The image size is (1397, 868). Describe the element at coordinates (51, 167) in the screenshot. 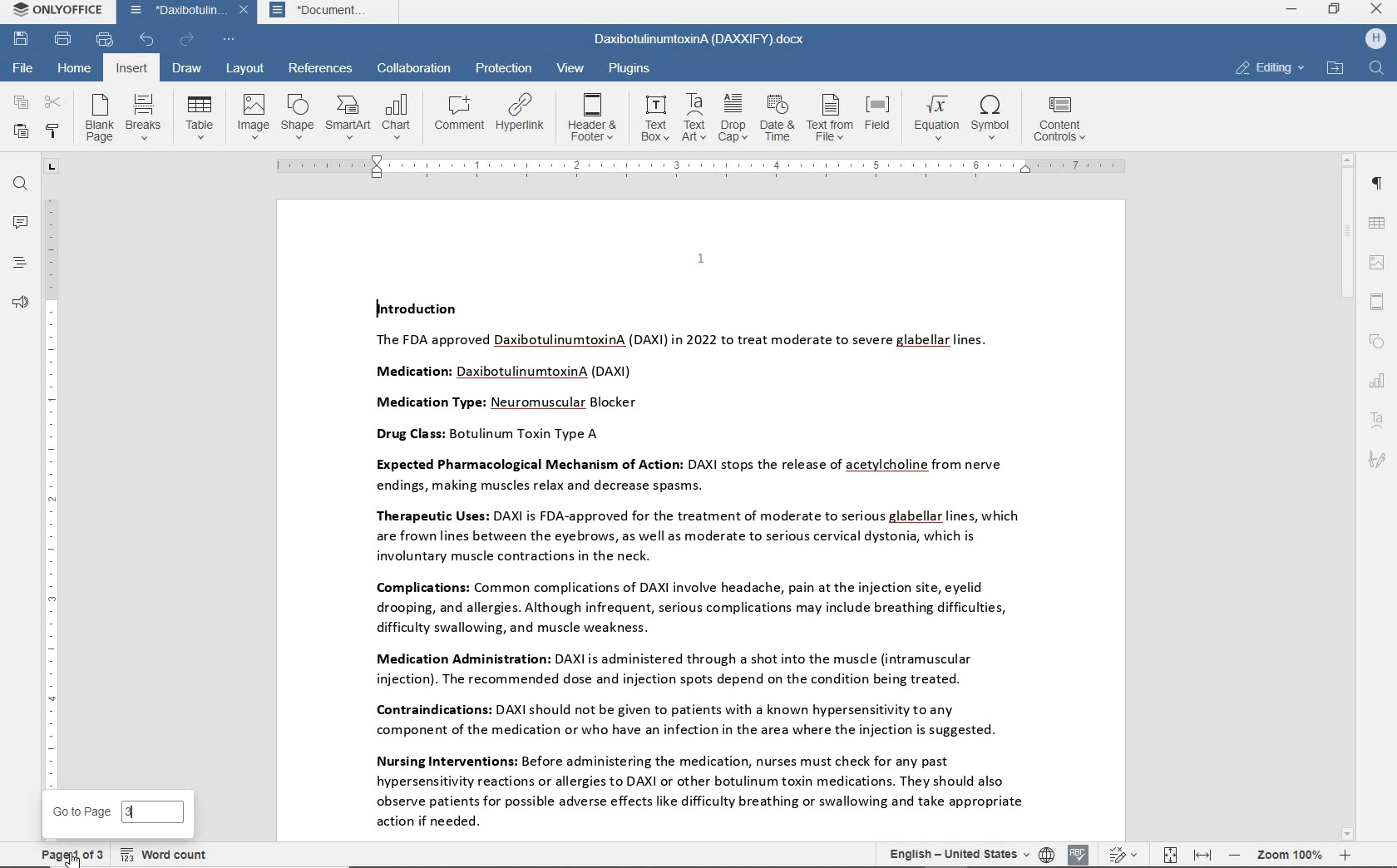

I see `tab group` at that location.